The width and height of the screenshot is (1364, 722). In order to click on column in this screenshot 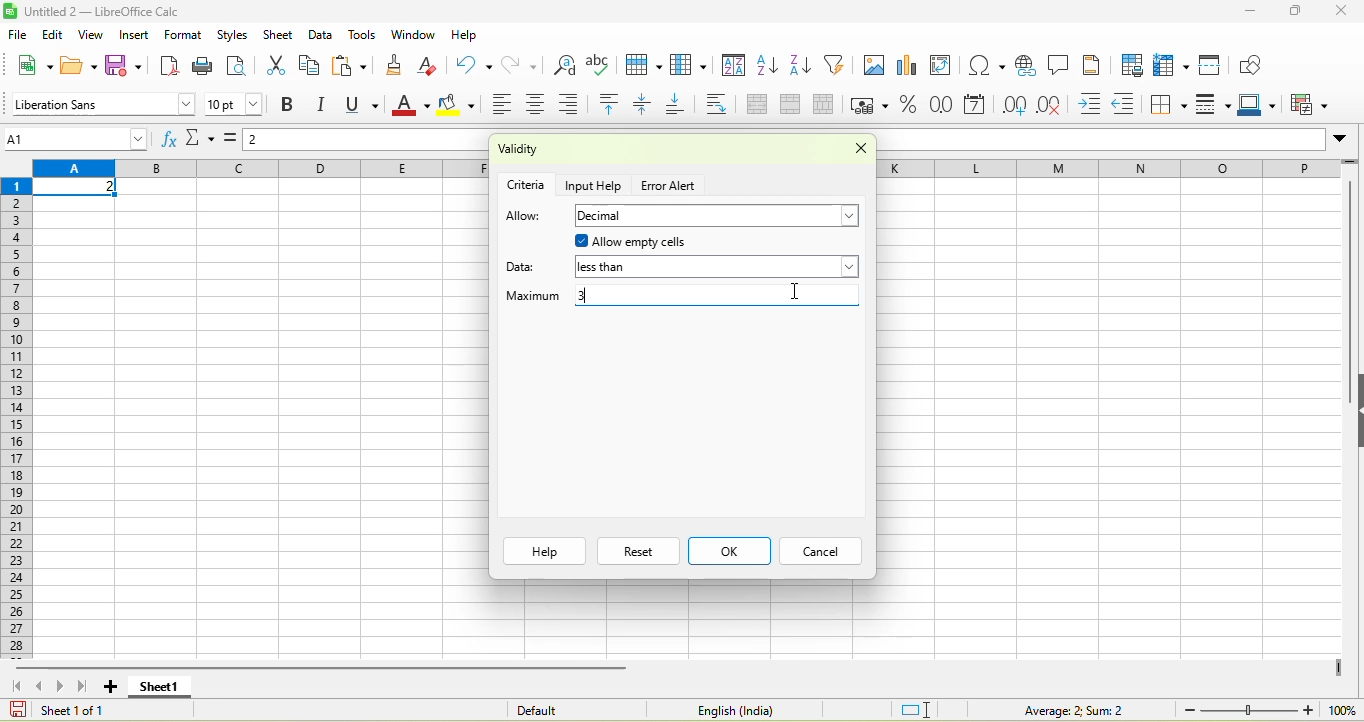, I will do `click(692, 66)`.